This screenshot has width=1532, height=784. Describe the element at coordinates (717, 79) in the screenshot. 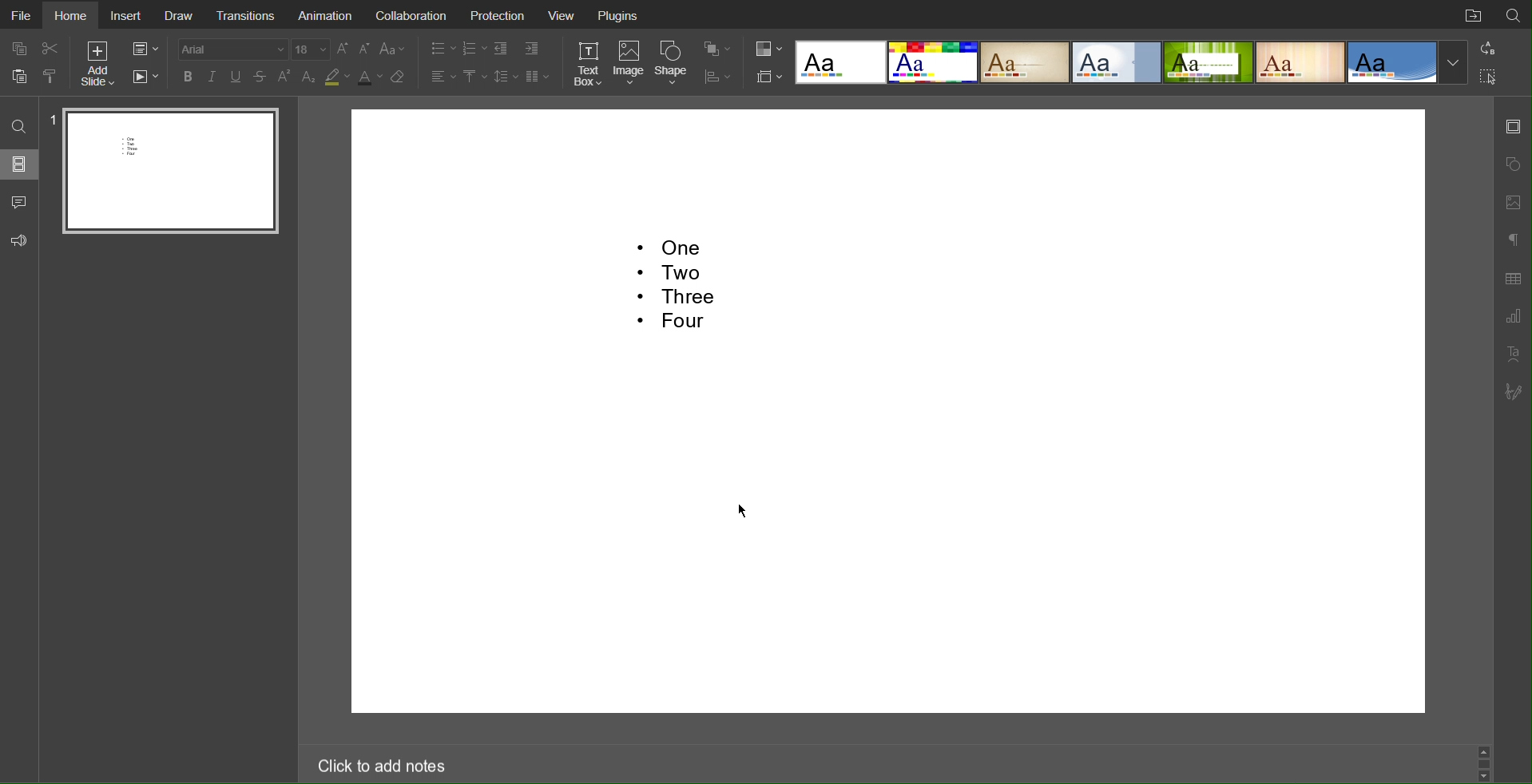

I see `Distribute` at that location.